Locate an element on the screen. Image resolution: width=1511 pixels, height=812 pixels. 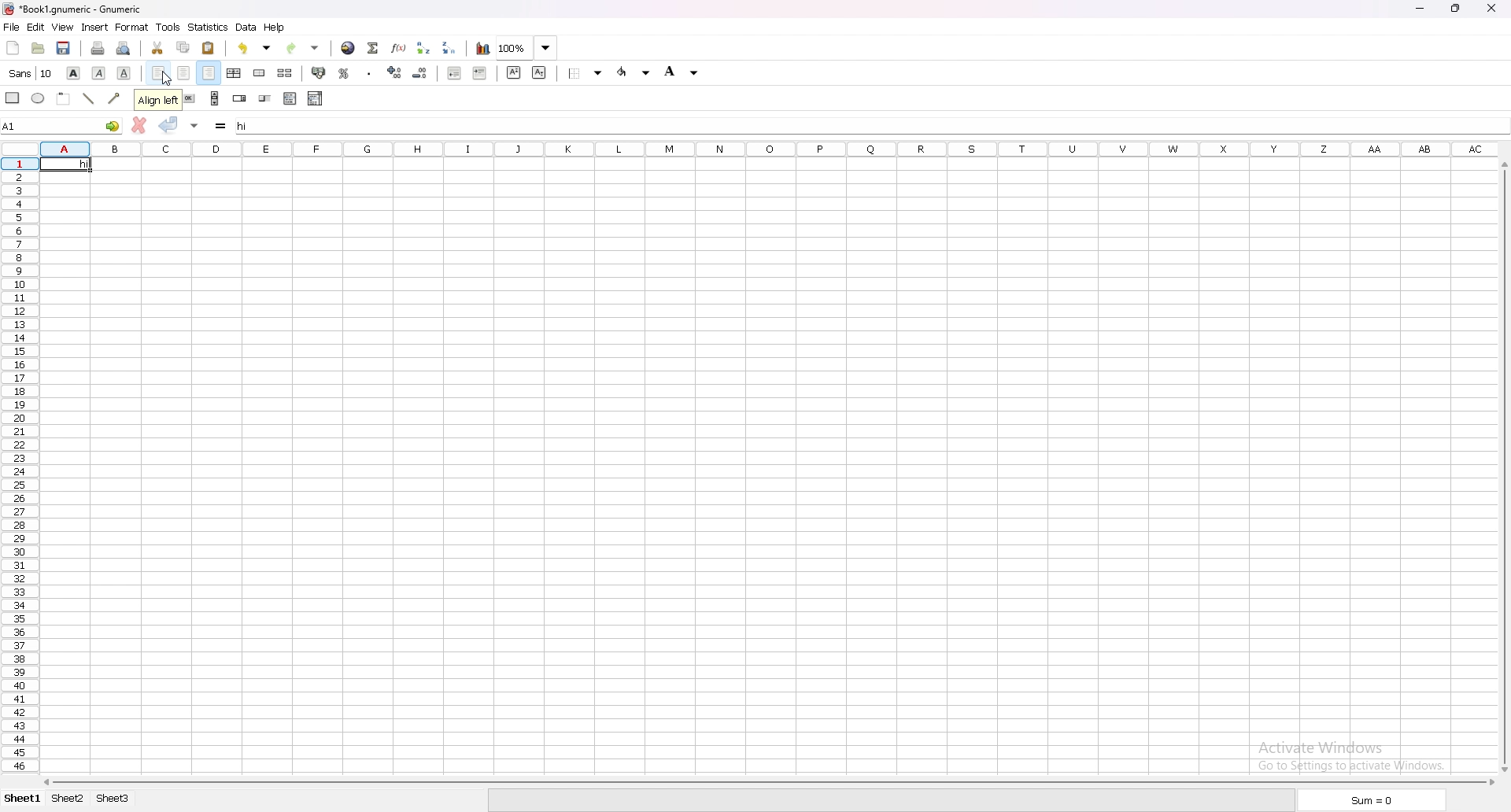
data is located at coordinates (246, 27).